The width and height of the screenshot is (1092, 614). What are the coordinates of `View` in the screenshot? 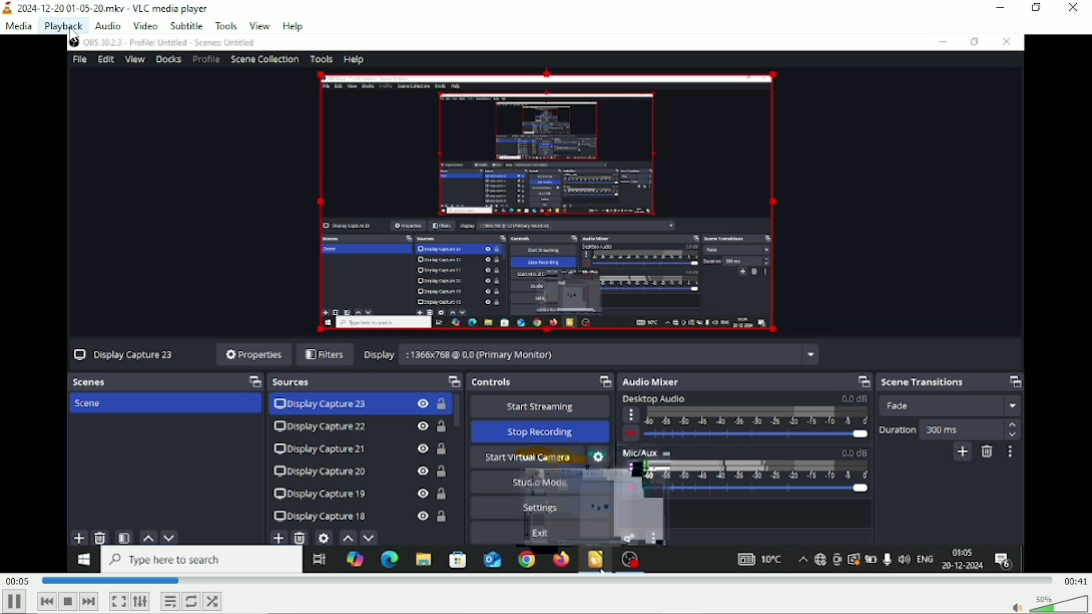 It's located at (260, 26).